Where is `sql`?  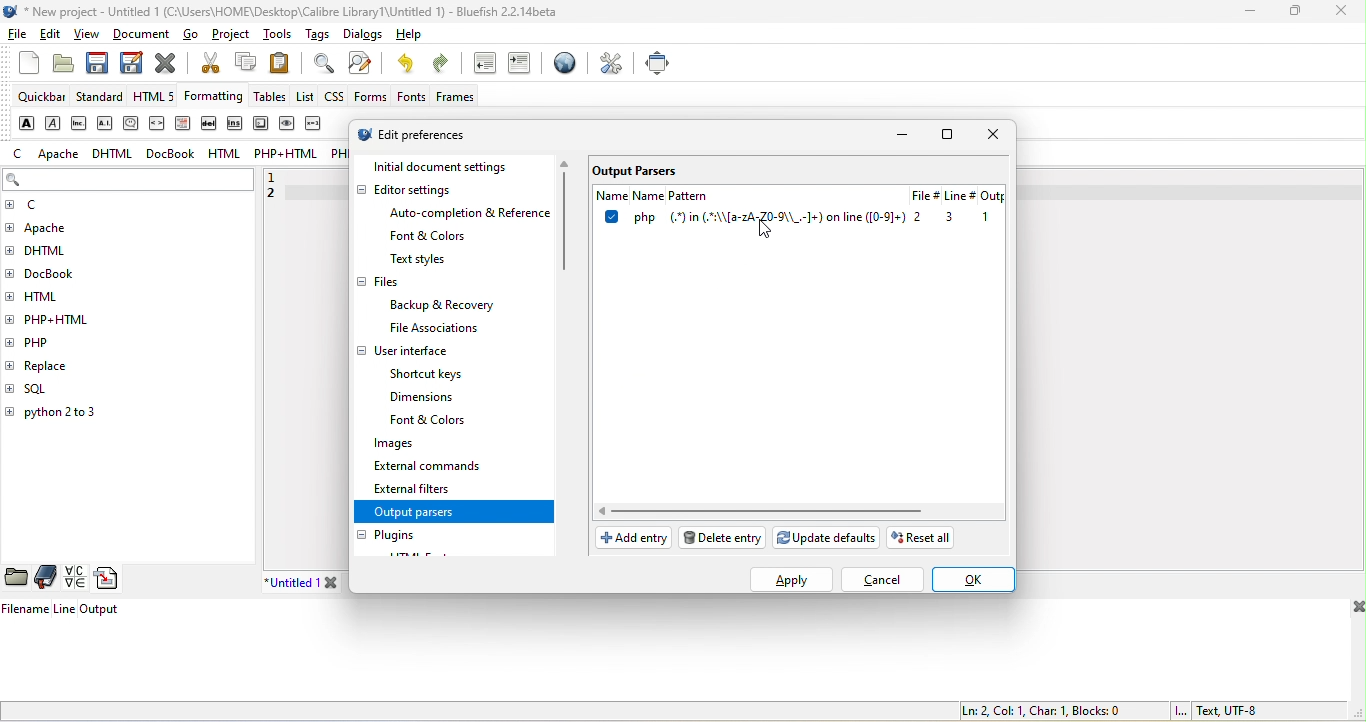 sql is located at coordinates (47, 389).